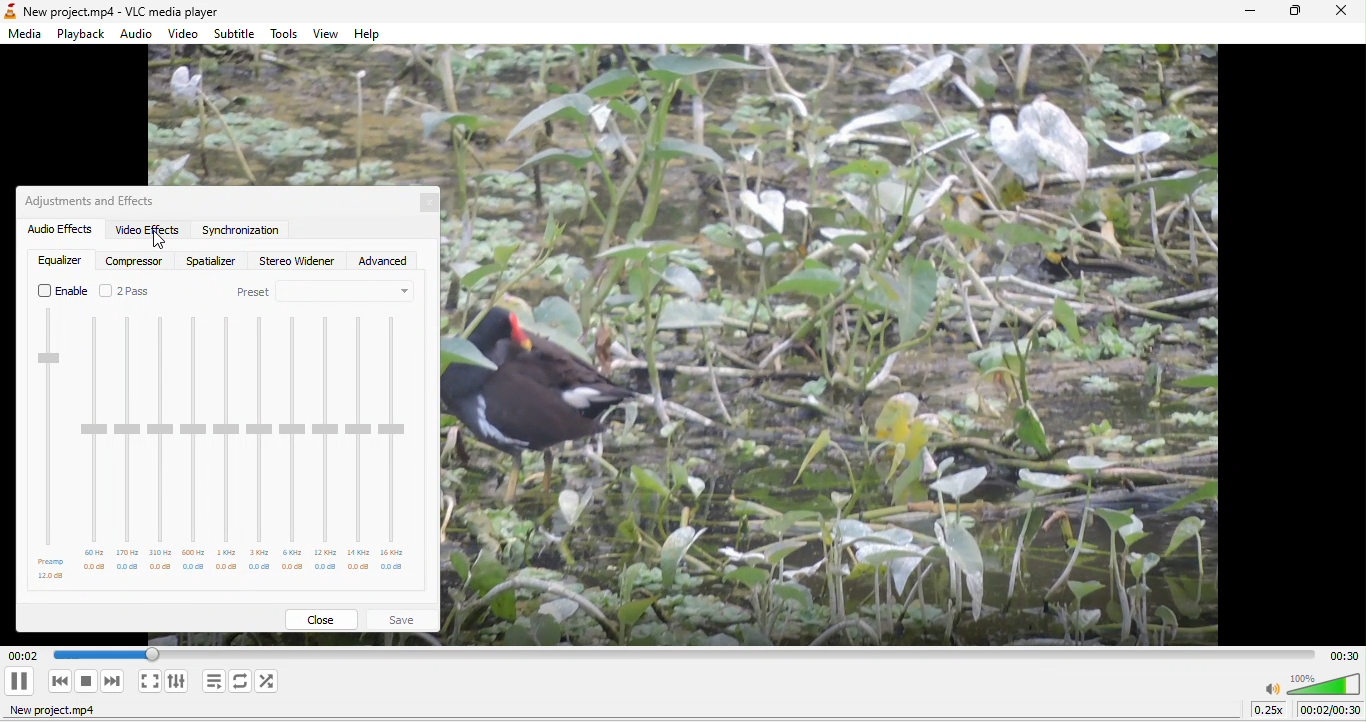 The height and width of the screenshot is (722, 1366). What do you see at coordinates (403, 620) in the screenshot?
I see `save` at bounding box center [403, 620].